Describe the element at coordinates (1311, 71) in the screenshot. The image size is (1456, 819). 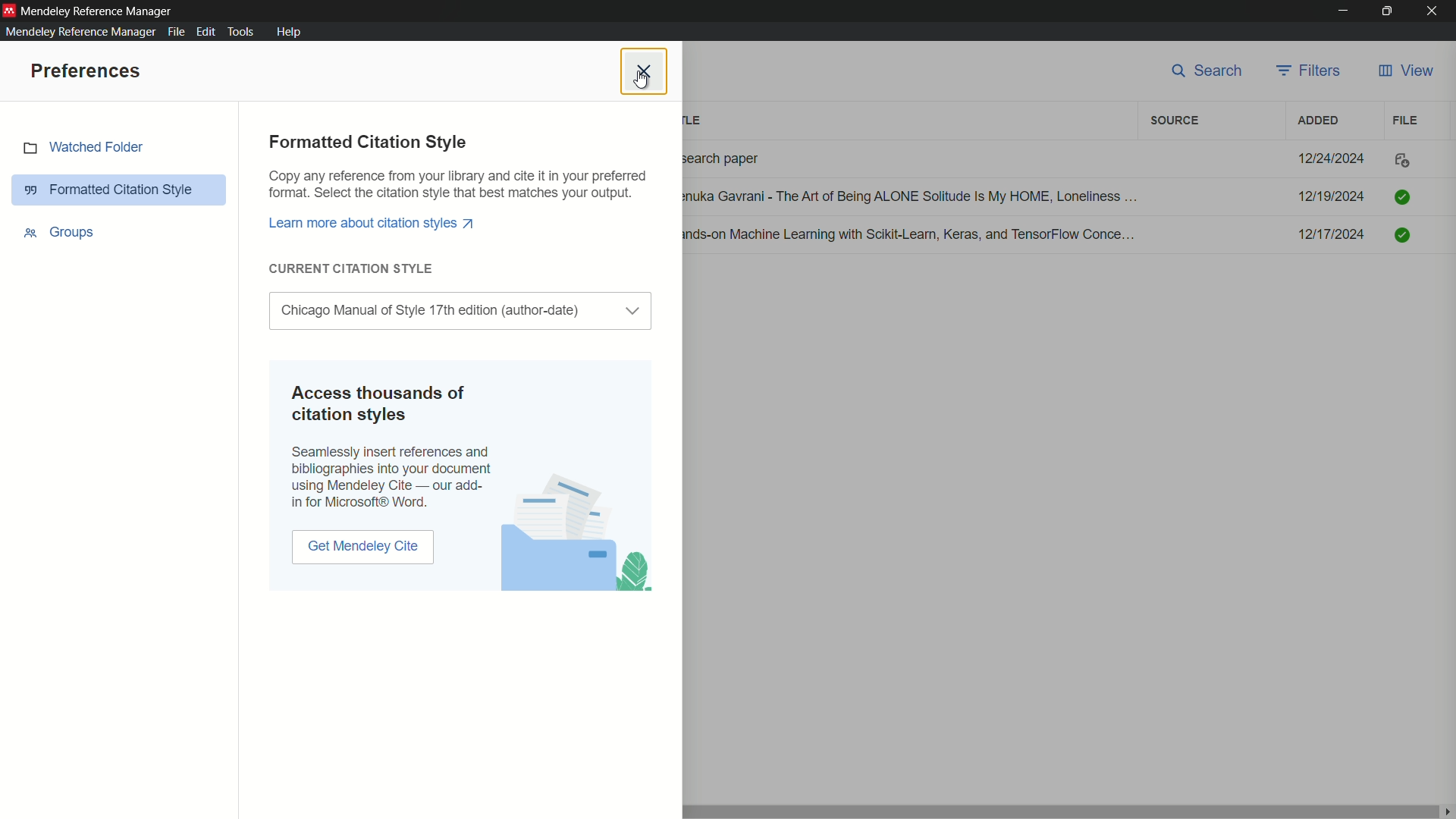
I see `filters` at that location.